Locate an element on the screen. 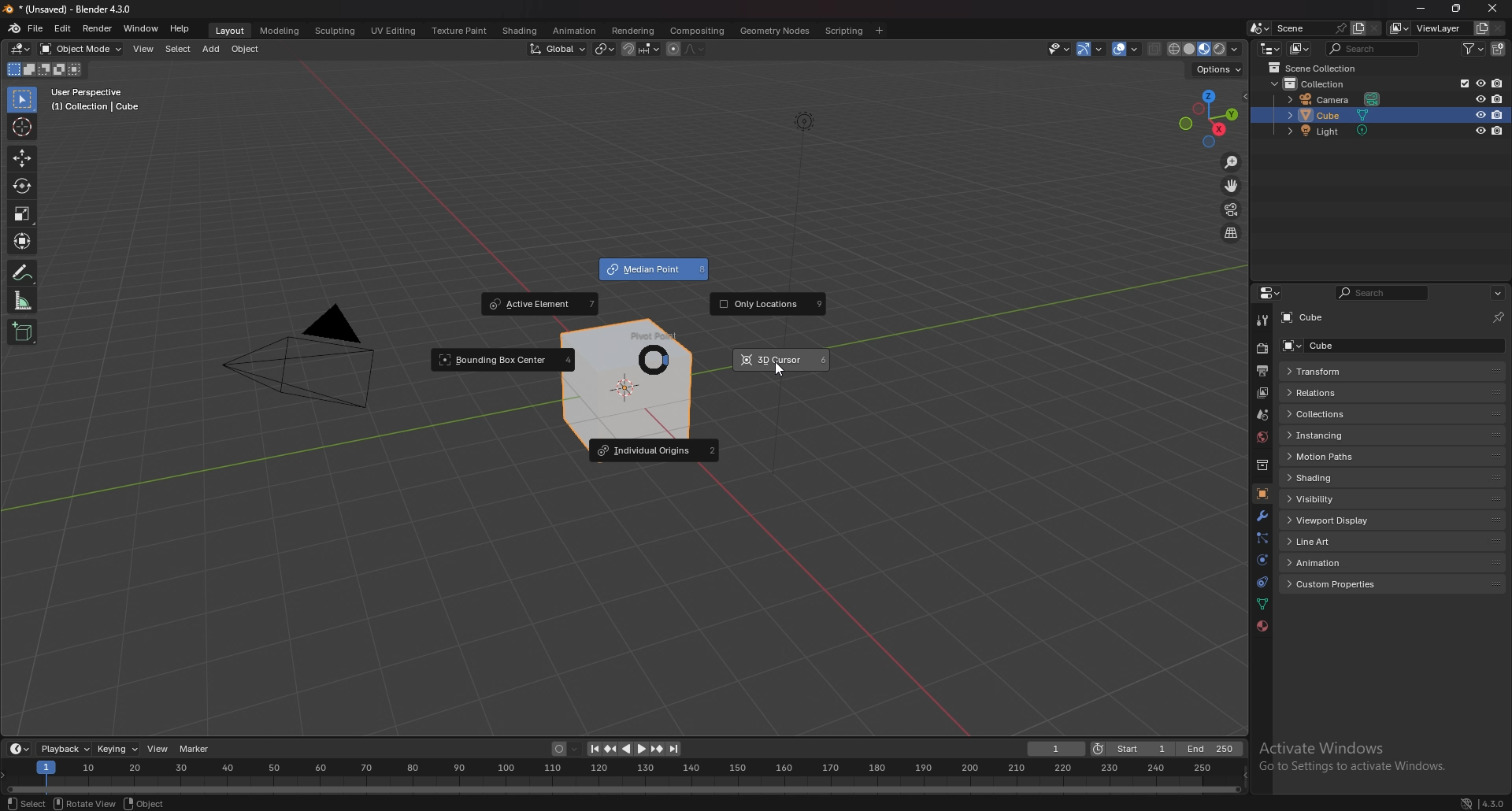 This screenshot has height=811, width=1512. constraints is located at coordinates (1260, 582).